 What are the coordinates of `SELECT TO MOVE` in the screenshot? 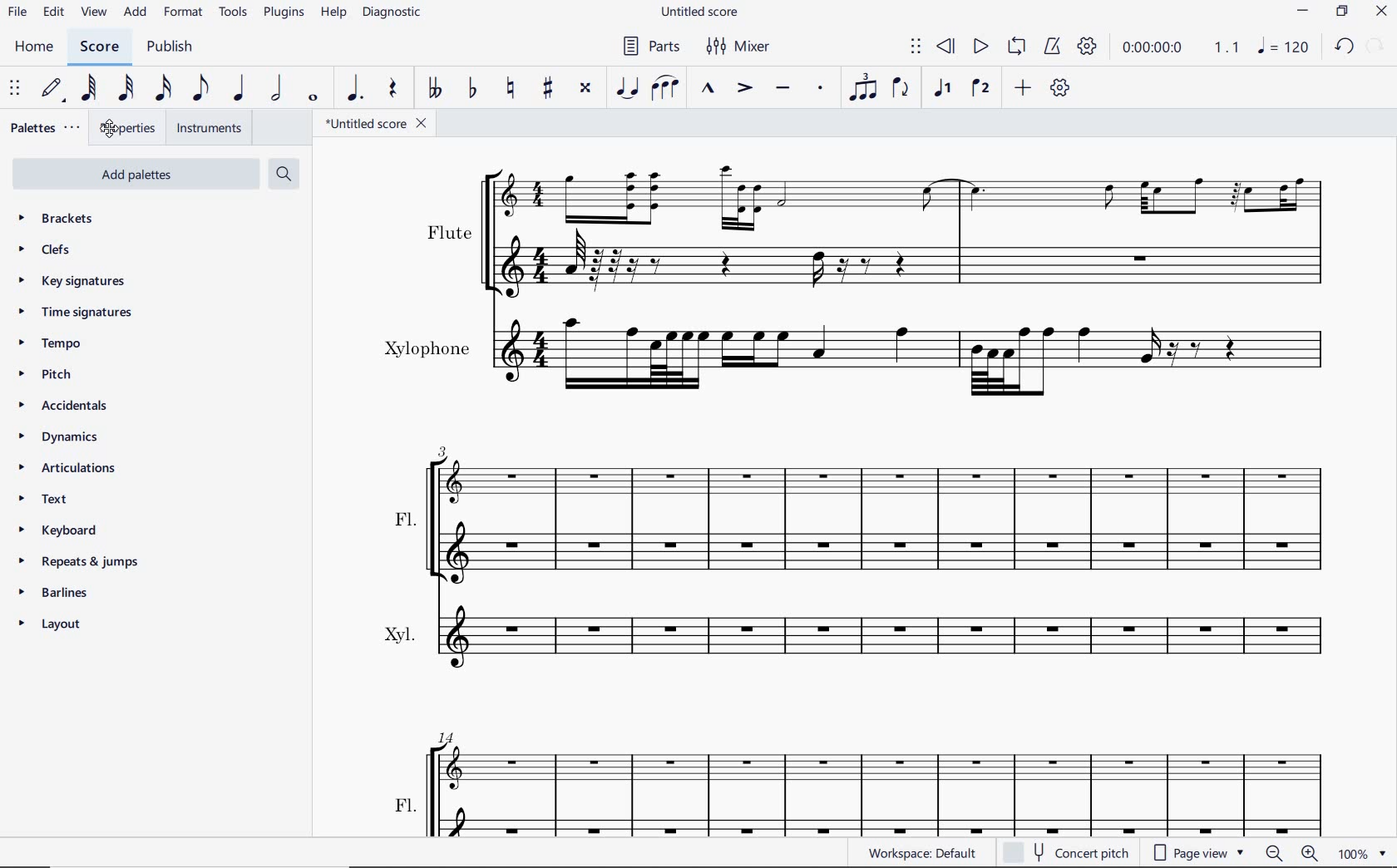 It's located at (916, 47).